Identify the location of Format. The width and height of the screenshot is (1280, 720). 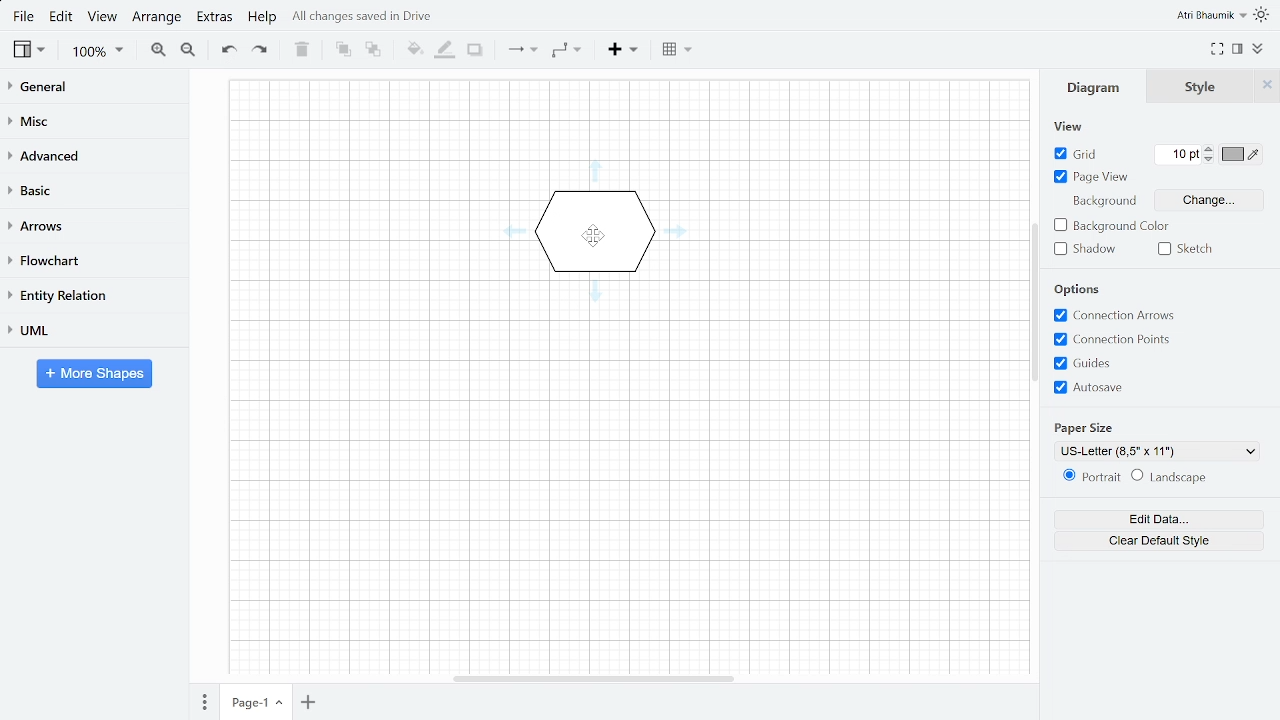
(1237, 46).